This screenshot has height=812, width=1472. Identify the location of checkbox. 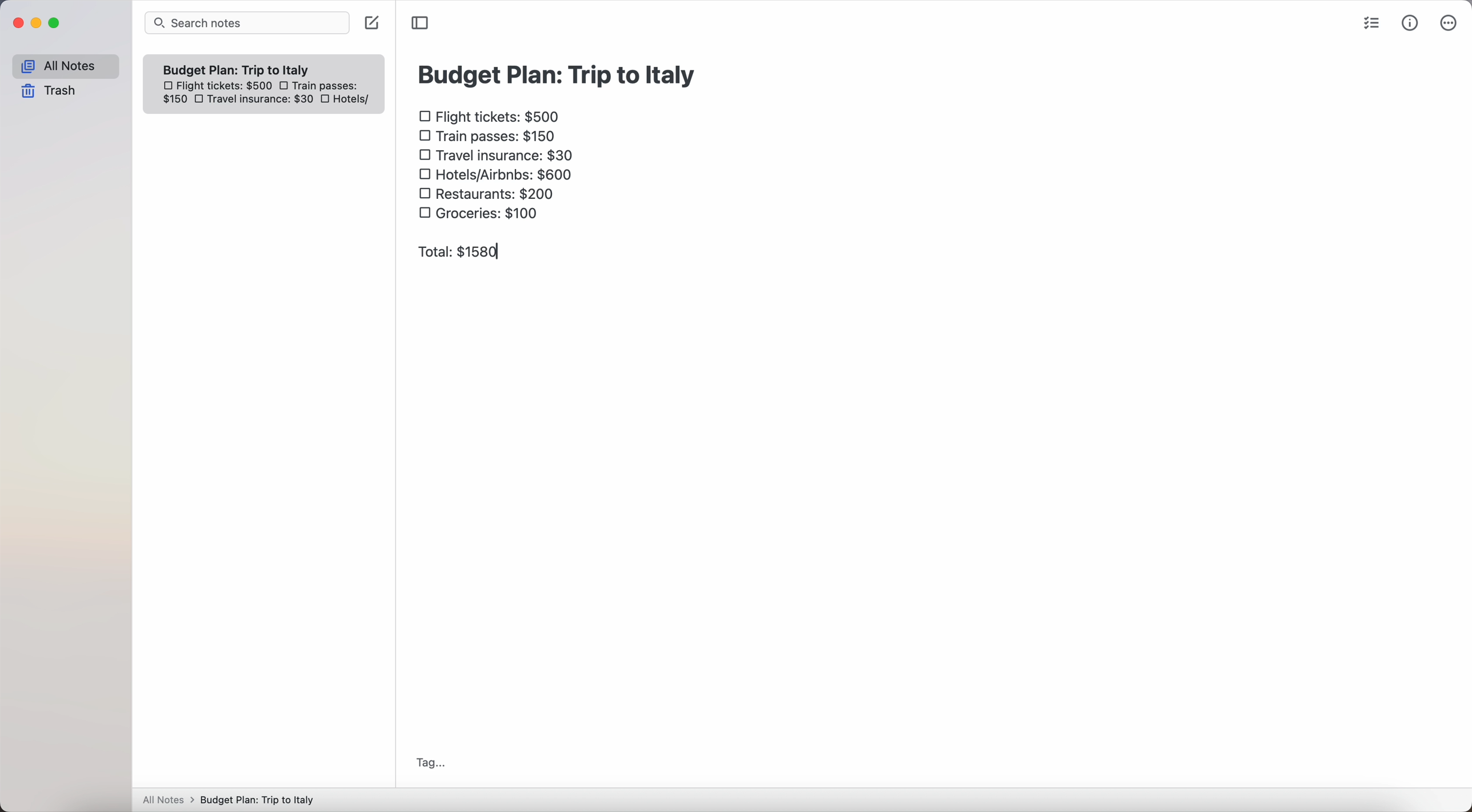
(200, 101).